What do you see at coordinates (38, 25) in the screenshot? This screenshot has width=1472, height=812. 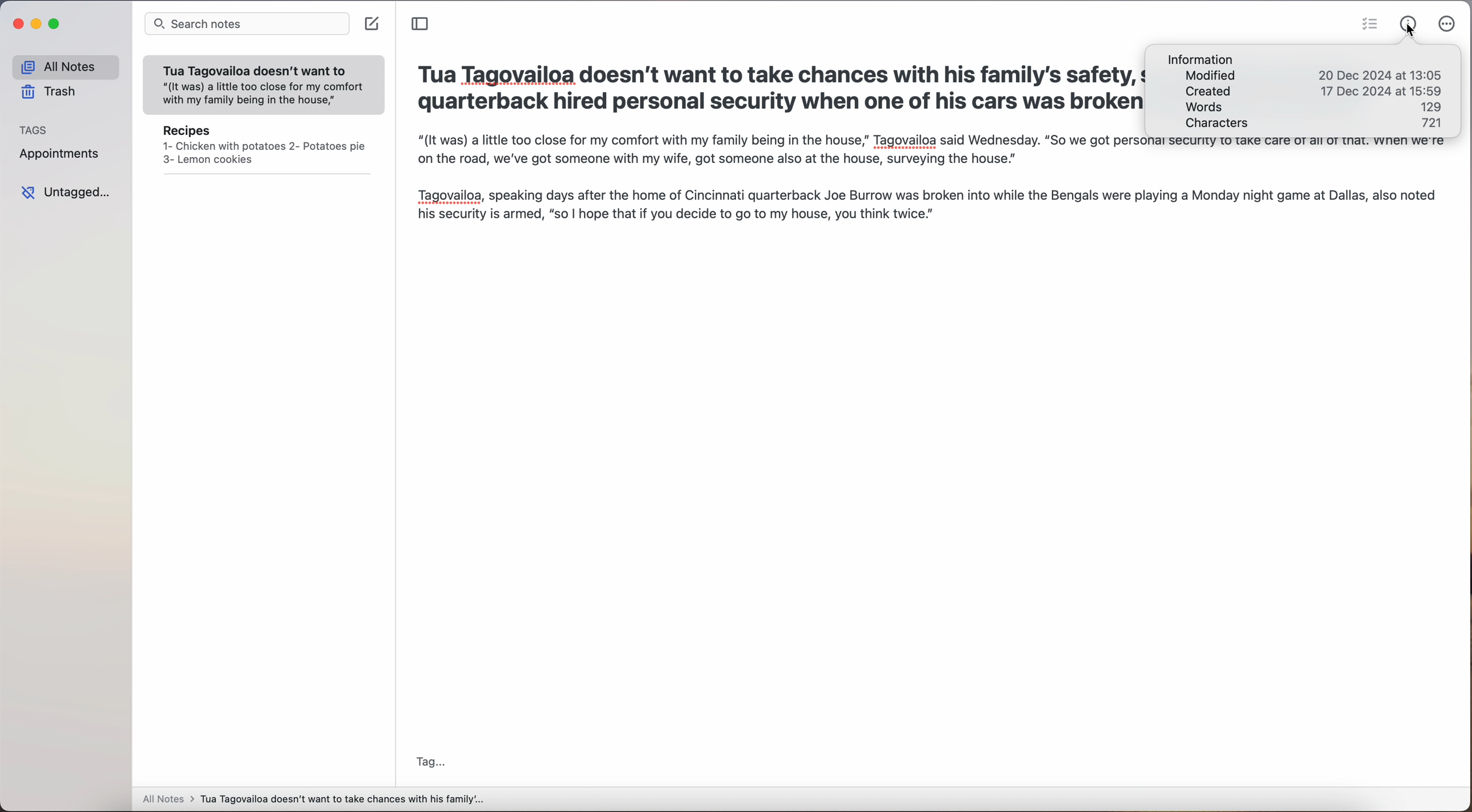 I see `minimize Simplenote` at bounding box center [38, 25].